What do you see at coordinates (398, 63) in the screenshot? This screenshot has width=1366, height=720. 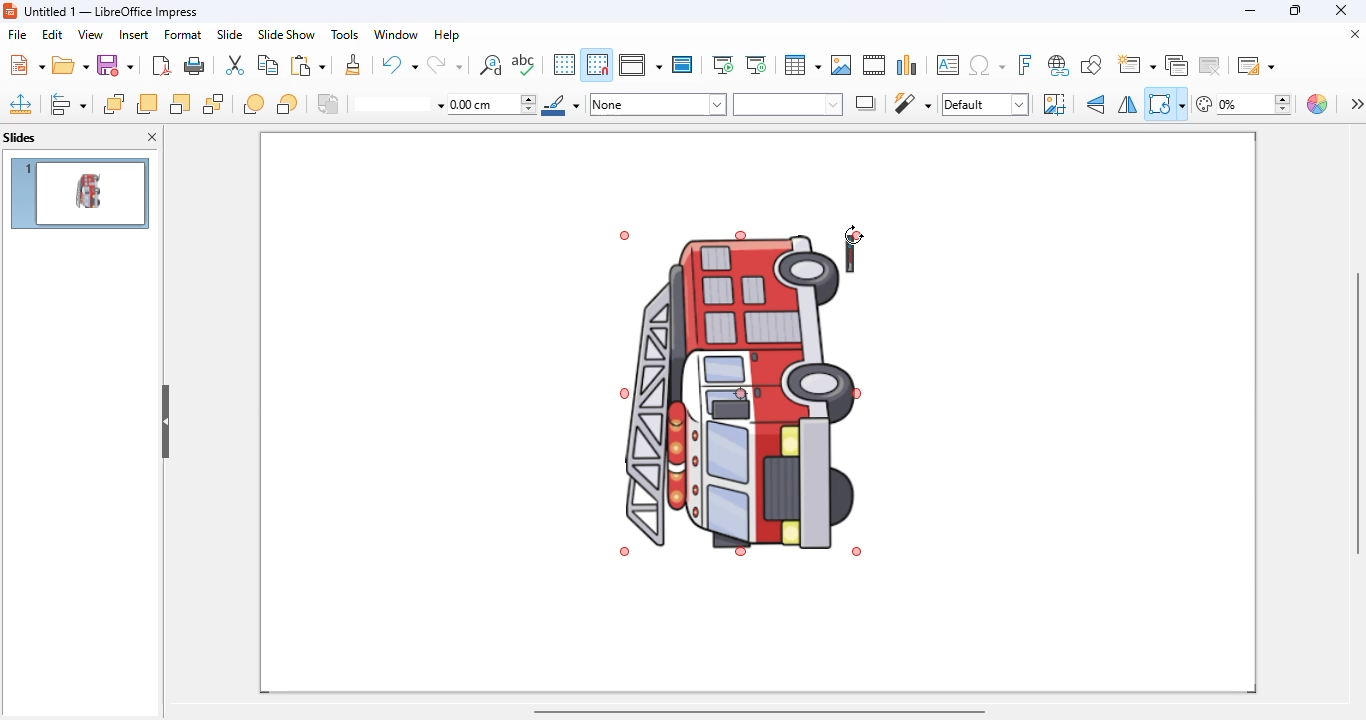 I see `undo` at bounding box center [398, 63].